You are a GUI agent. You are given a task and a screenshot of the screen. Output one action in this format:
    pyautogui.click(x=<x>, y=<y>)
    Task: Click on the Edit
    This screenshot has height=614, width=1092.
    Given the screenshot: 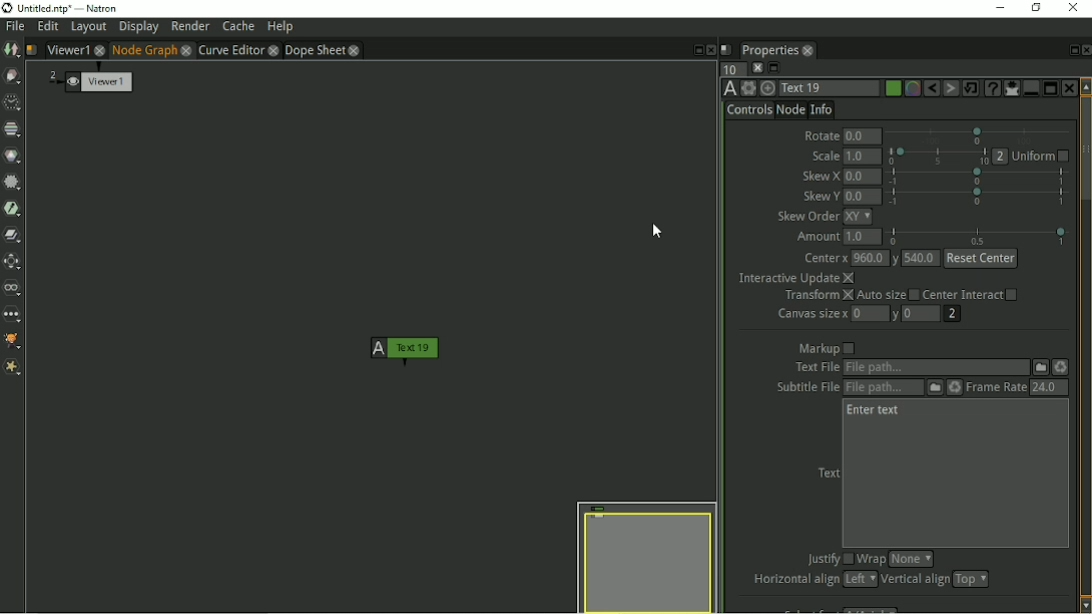 What is the action you would take?
    pyautogui.click(x=48, y=27)
    